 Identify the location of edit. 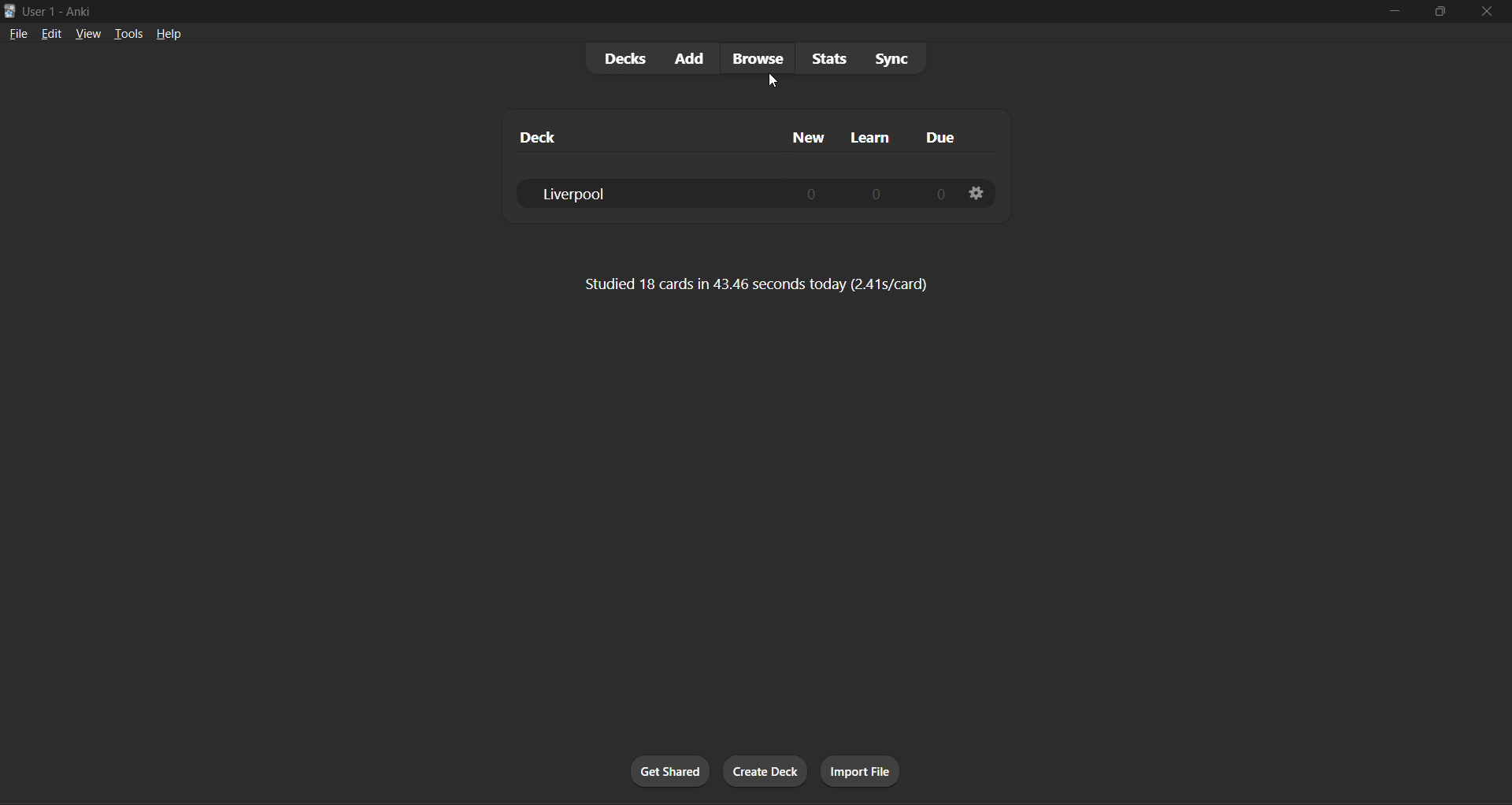
(52, 35).